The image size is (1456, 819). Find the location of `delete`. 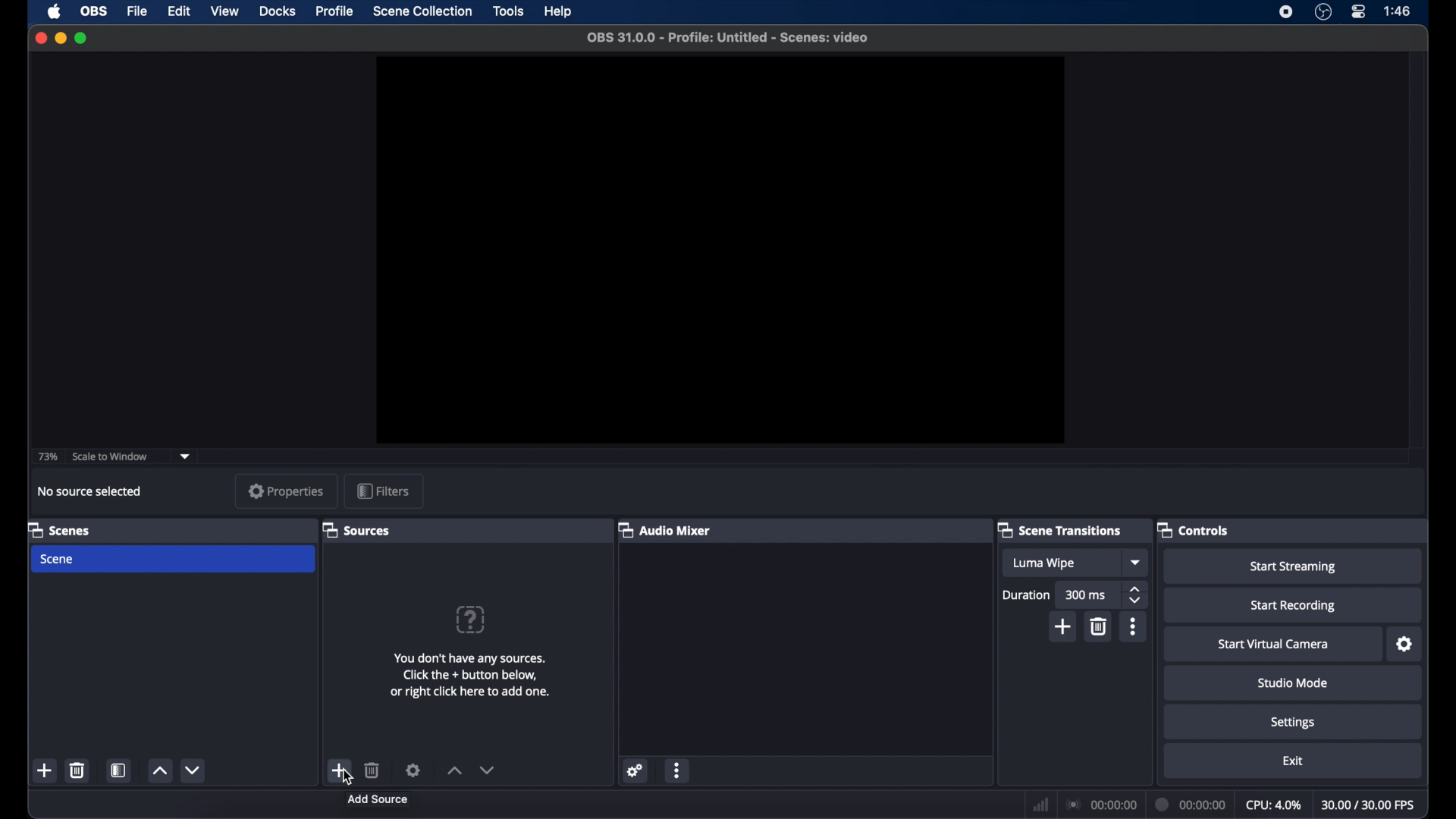

delete is located at coordinates (1100, 626).